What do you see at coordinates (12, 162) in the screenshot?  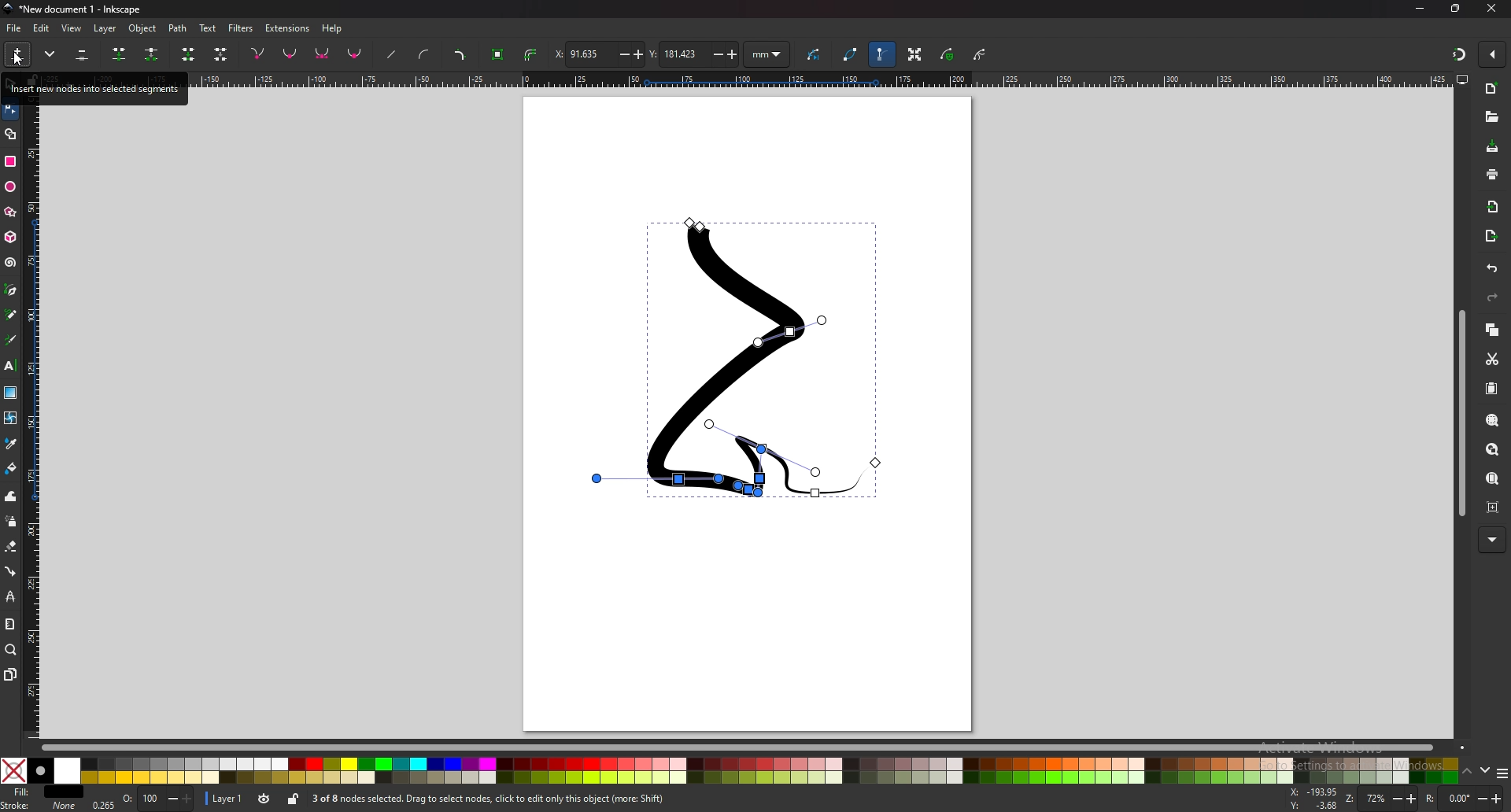 I see `rectangle` at bounding box center [12, 162].